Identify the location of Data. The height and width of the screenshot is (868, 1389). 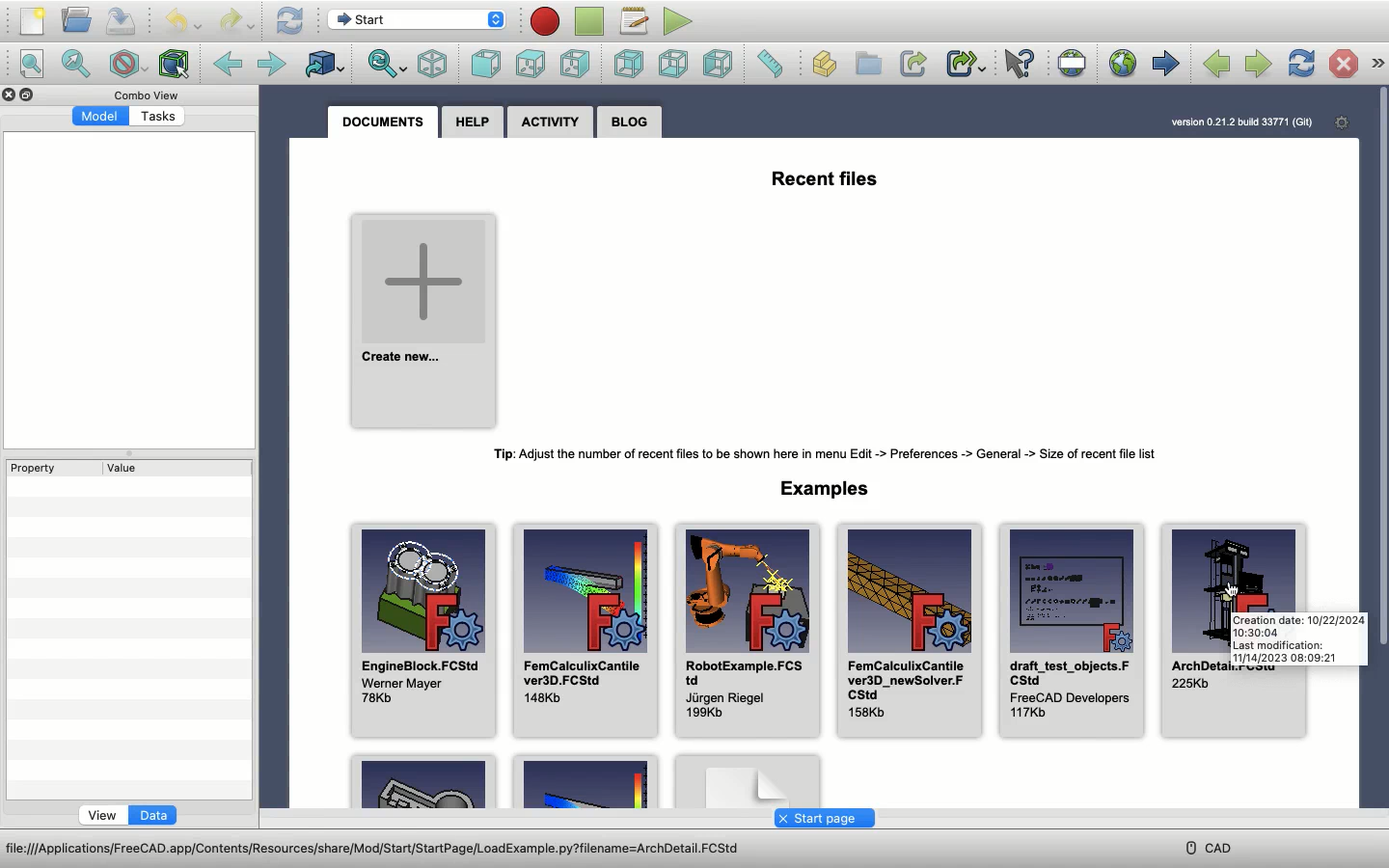
(152, 815).